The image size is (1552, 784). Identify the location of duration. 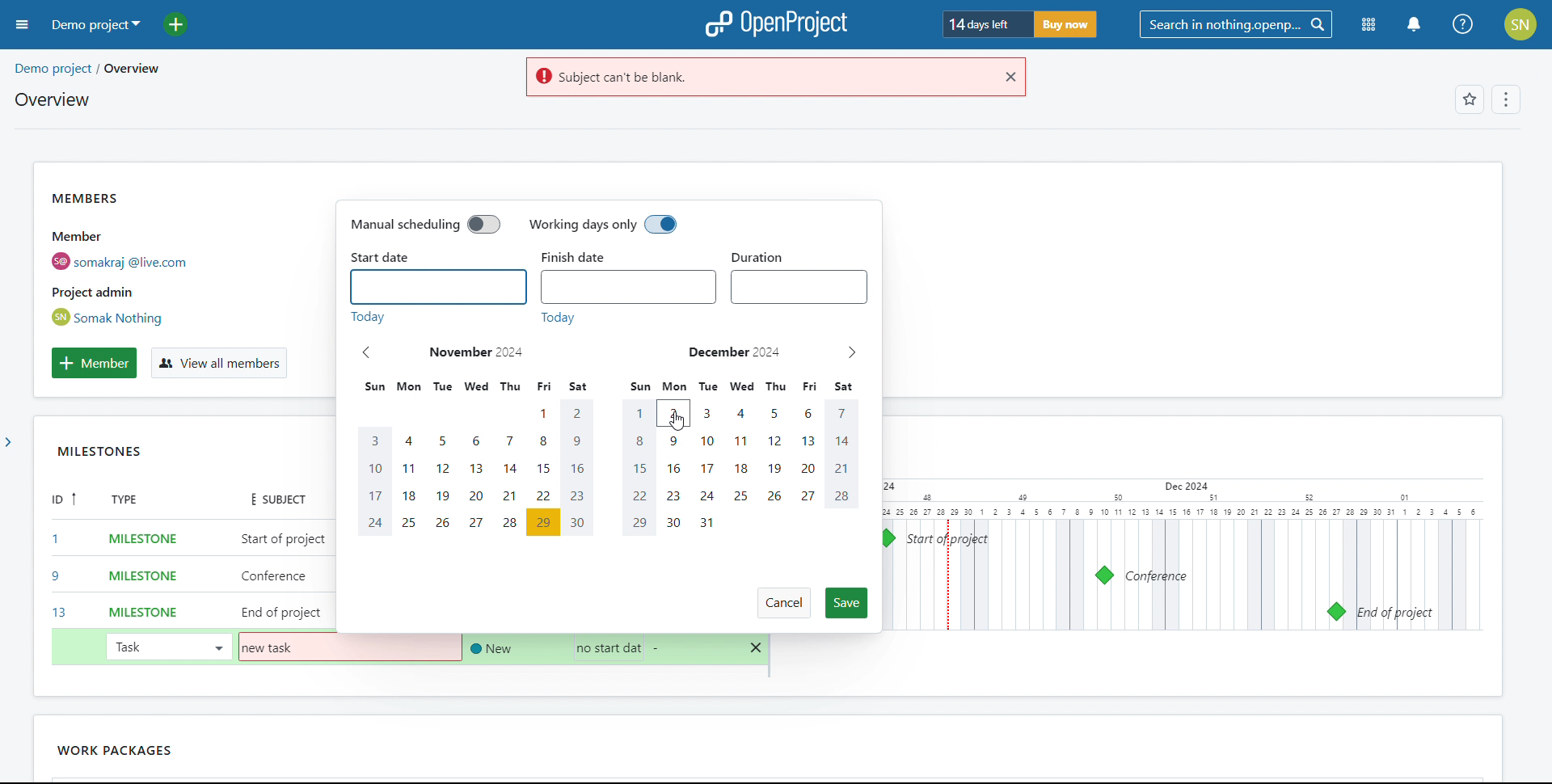
(764, 253).